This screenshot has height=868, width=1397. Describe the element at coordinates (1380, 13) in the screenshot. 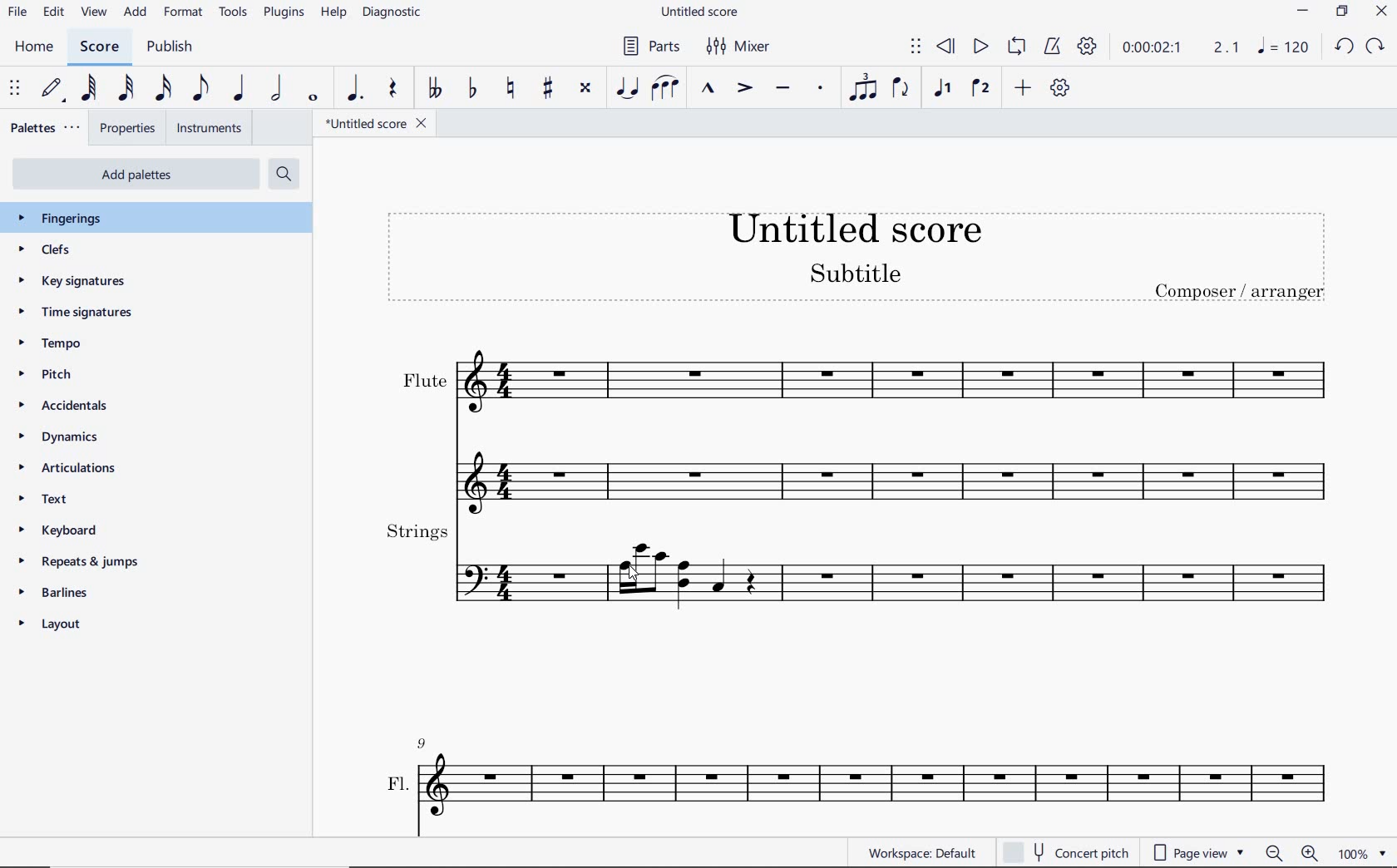

I see `CLOSE` at that location.